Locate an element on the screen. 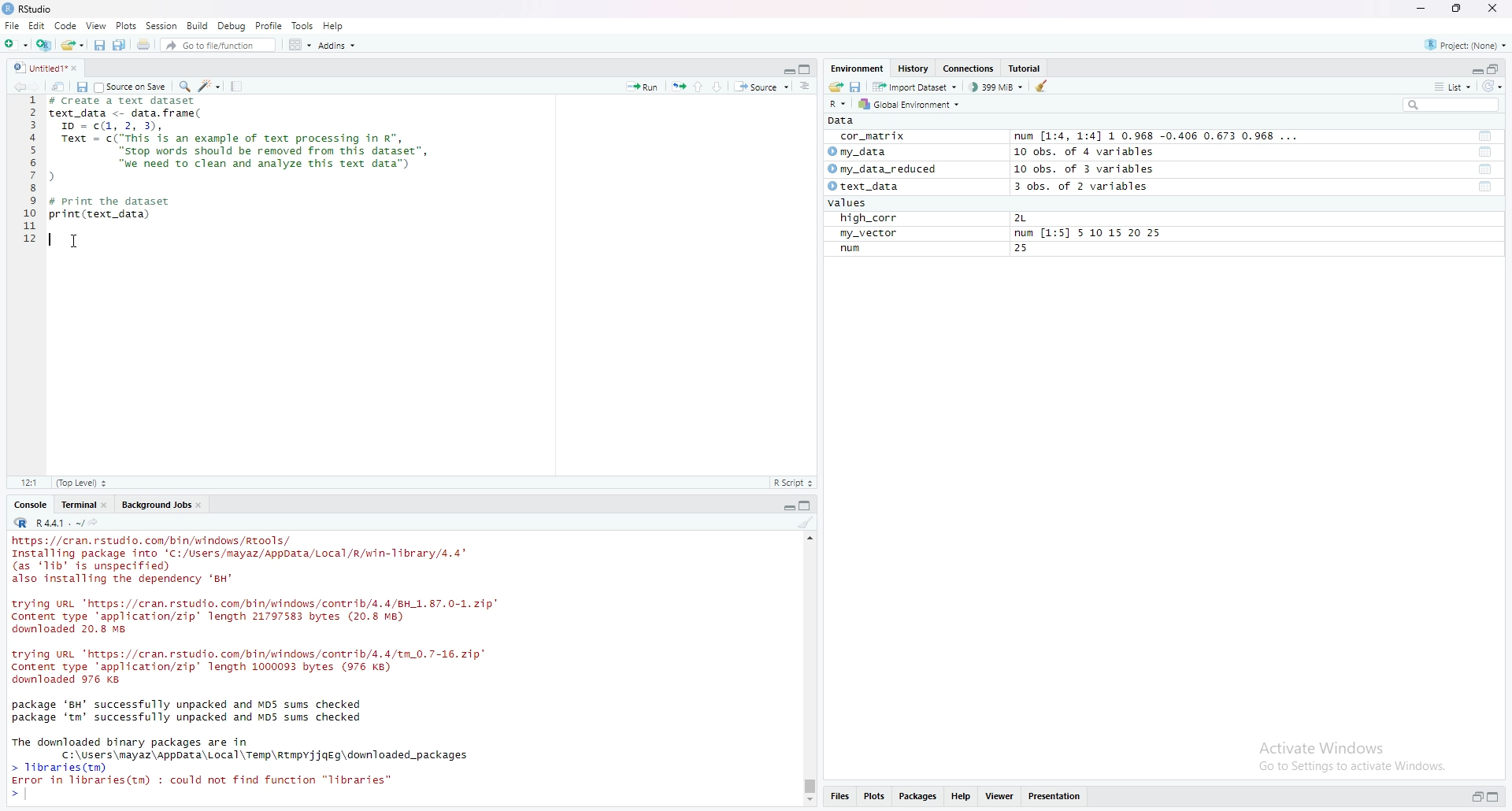 The height and width of the screenshot is (811, 1512). go to previous section is located at coordinates (700, 85).